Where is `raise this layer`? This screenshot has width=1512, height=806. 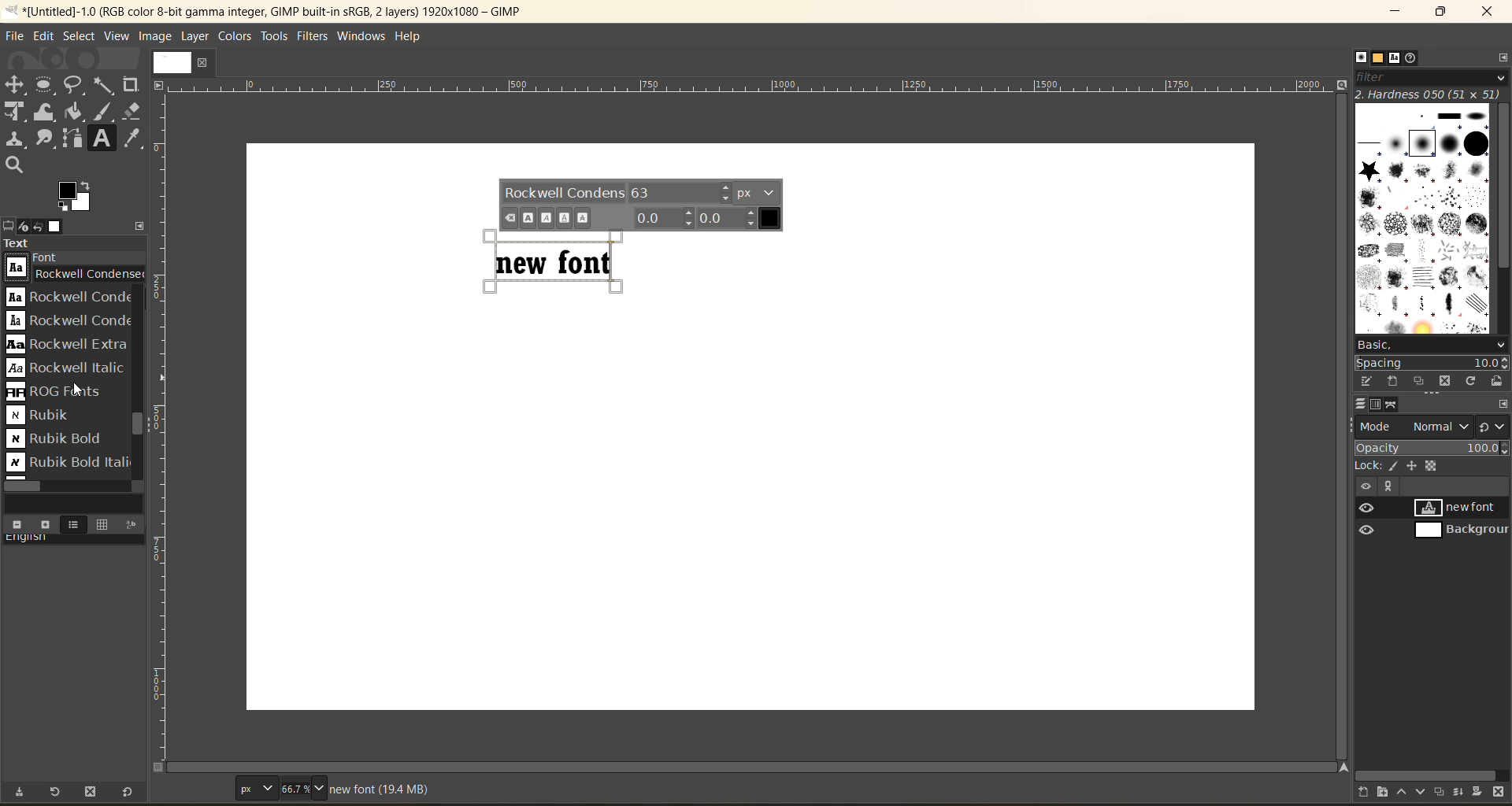
raise this layer is located at coordinates (1408, 793).